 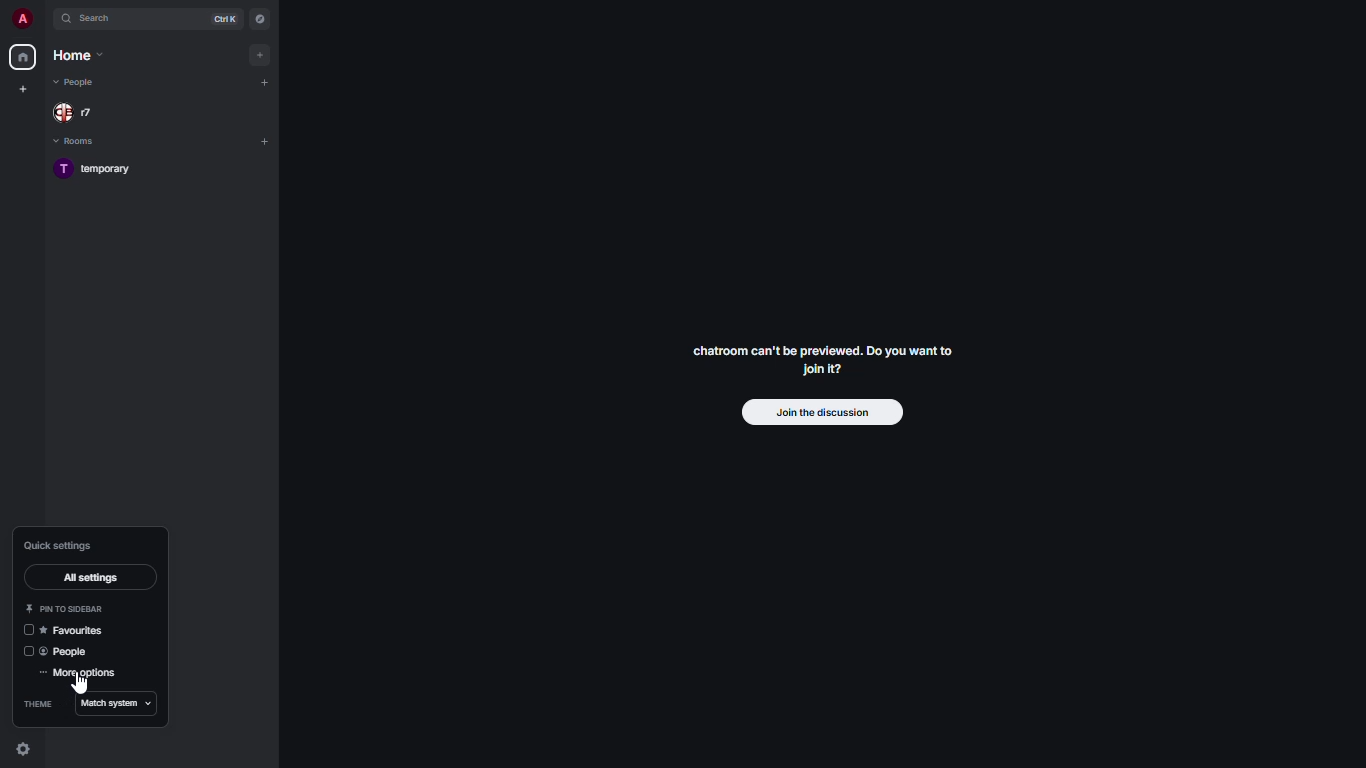 What do you see at coordinates (62, 545) in the screenshot?
I see `quick settings` at bounding box center [62, 545].